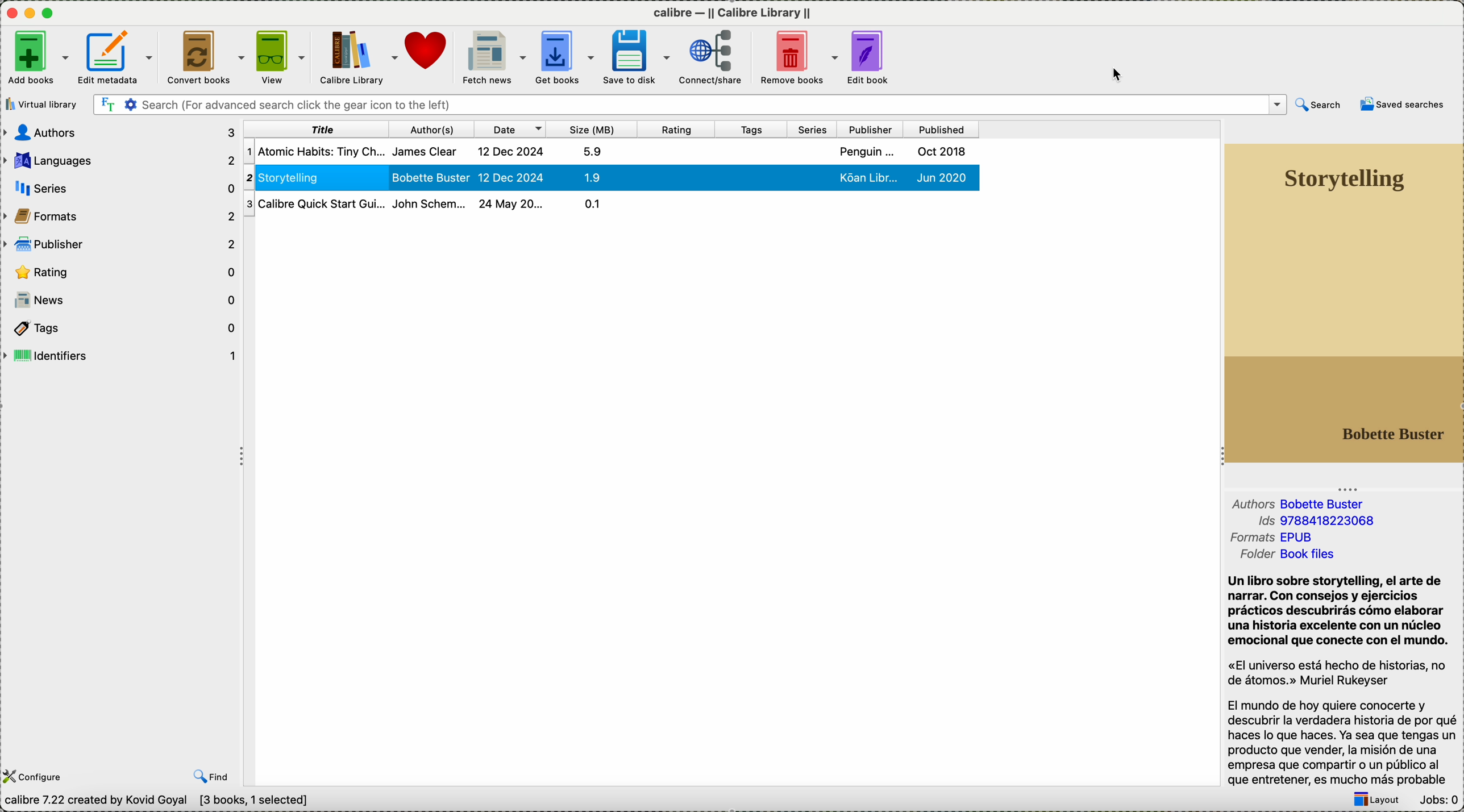 This screenshot has height=812, width=1464. Describe the element at coordinates (315, 129) in the screenshot. I see `title` at that location.